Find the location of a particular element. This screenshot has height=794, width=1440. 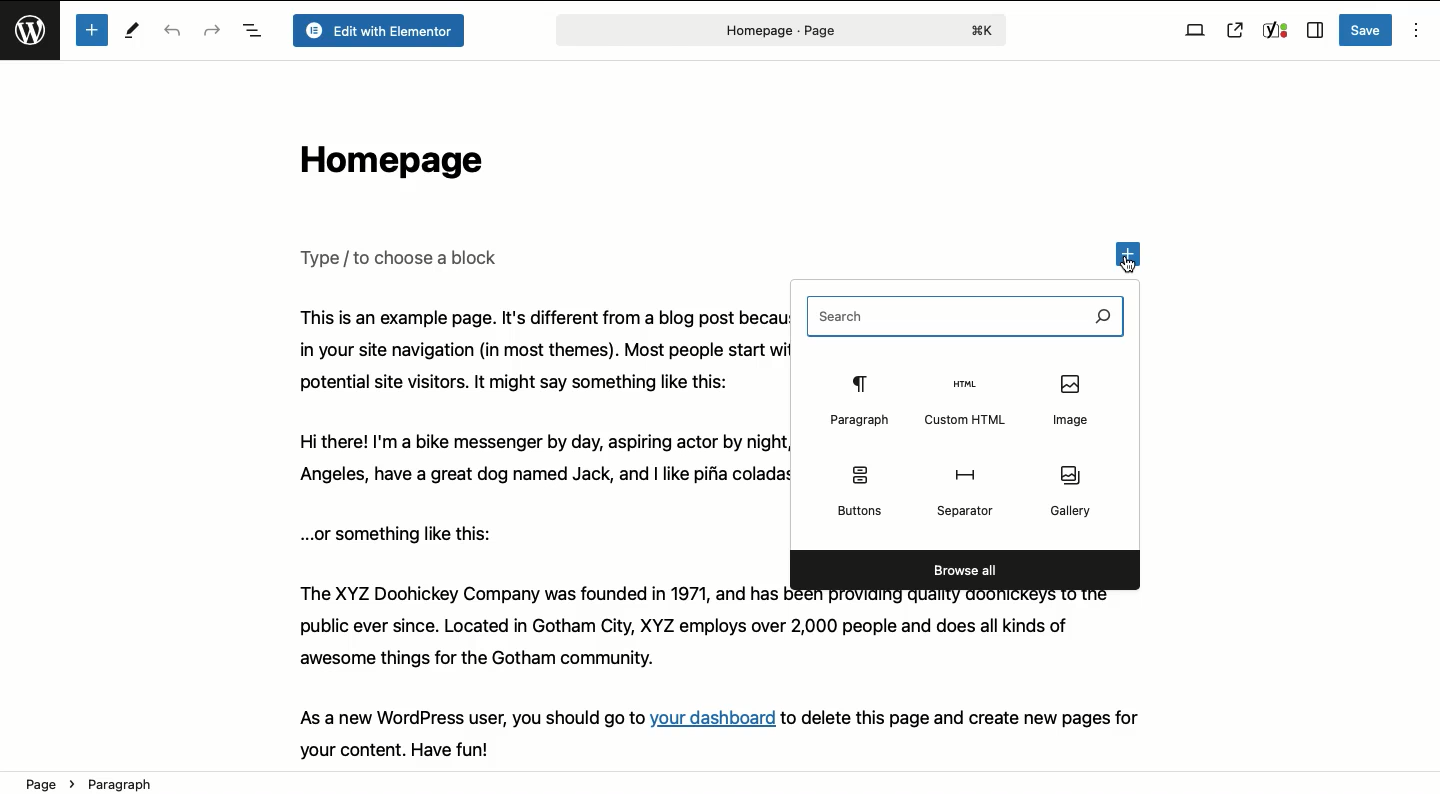

Paragraph is located at coordinates (857, 401).